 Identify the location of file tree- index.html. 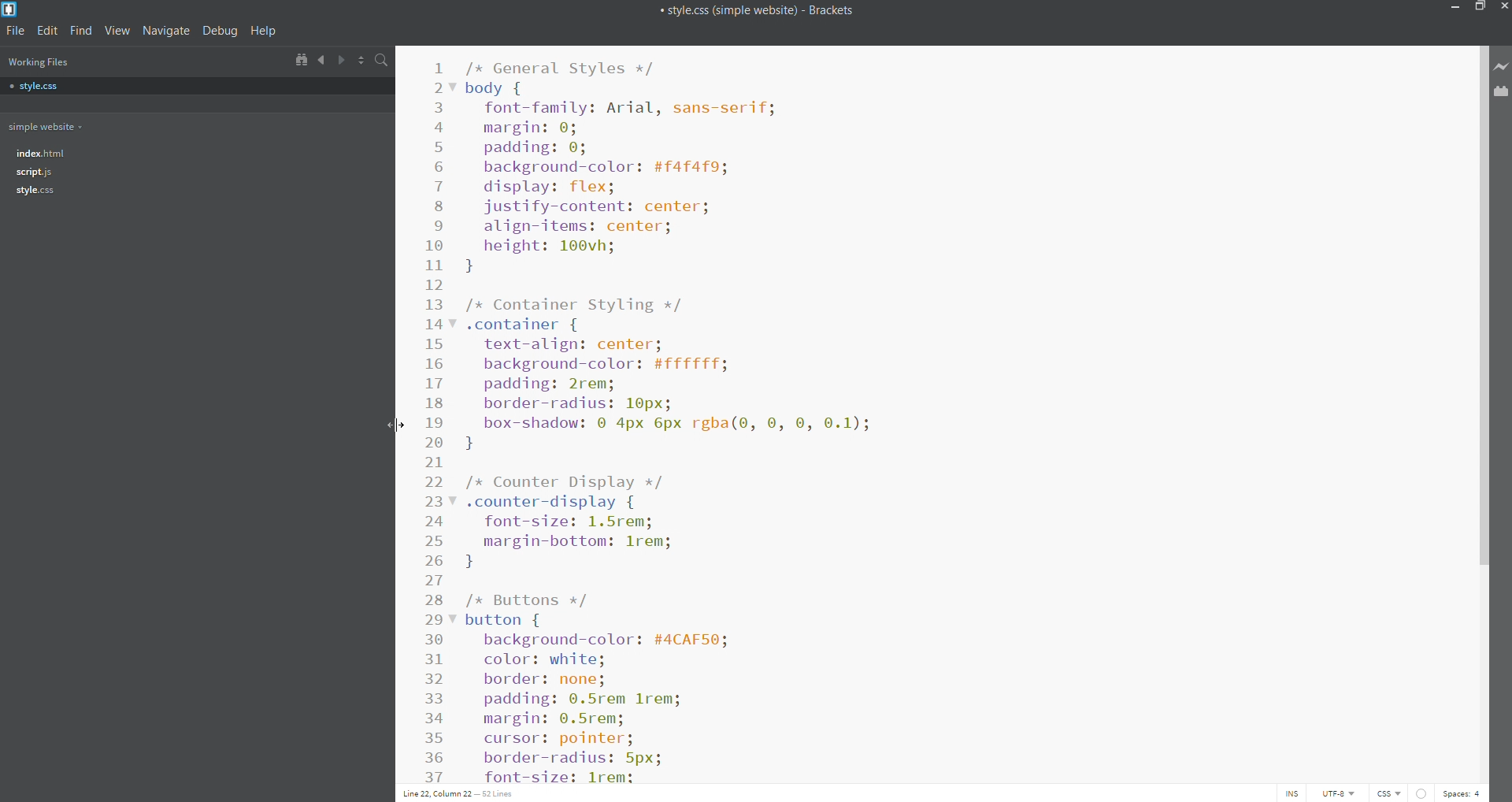
(43, 151).